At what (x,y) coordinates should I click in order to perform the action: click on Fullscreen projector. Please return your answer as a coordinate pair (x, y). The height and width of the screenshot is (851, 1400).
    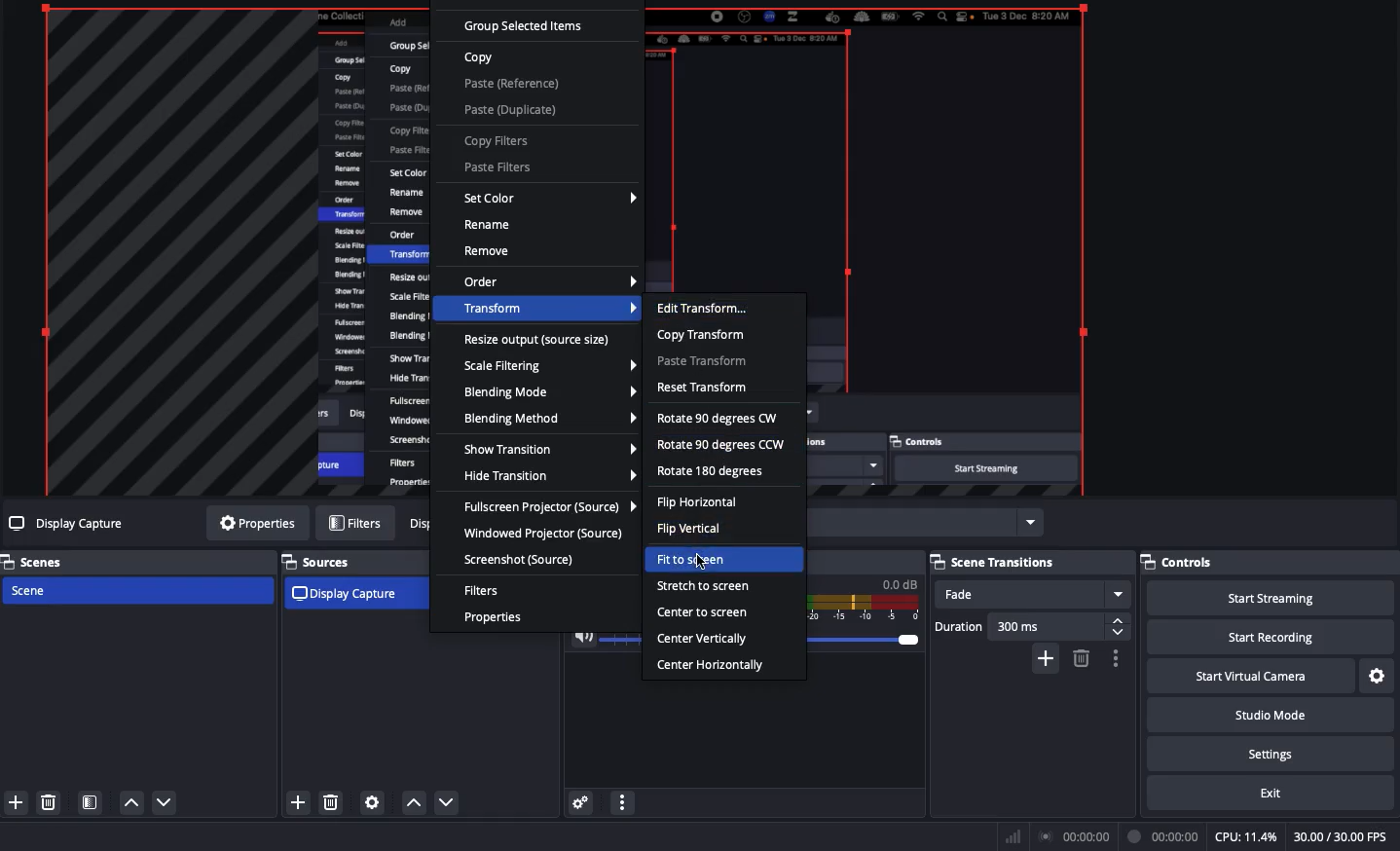
    Looking at the image, I should click on (546, 508).